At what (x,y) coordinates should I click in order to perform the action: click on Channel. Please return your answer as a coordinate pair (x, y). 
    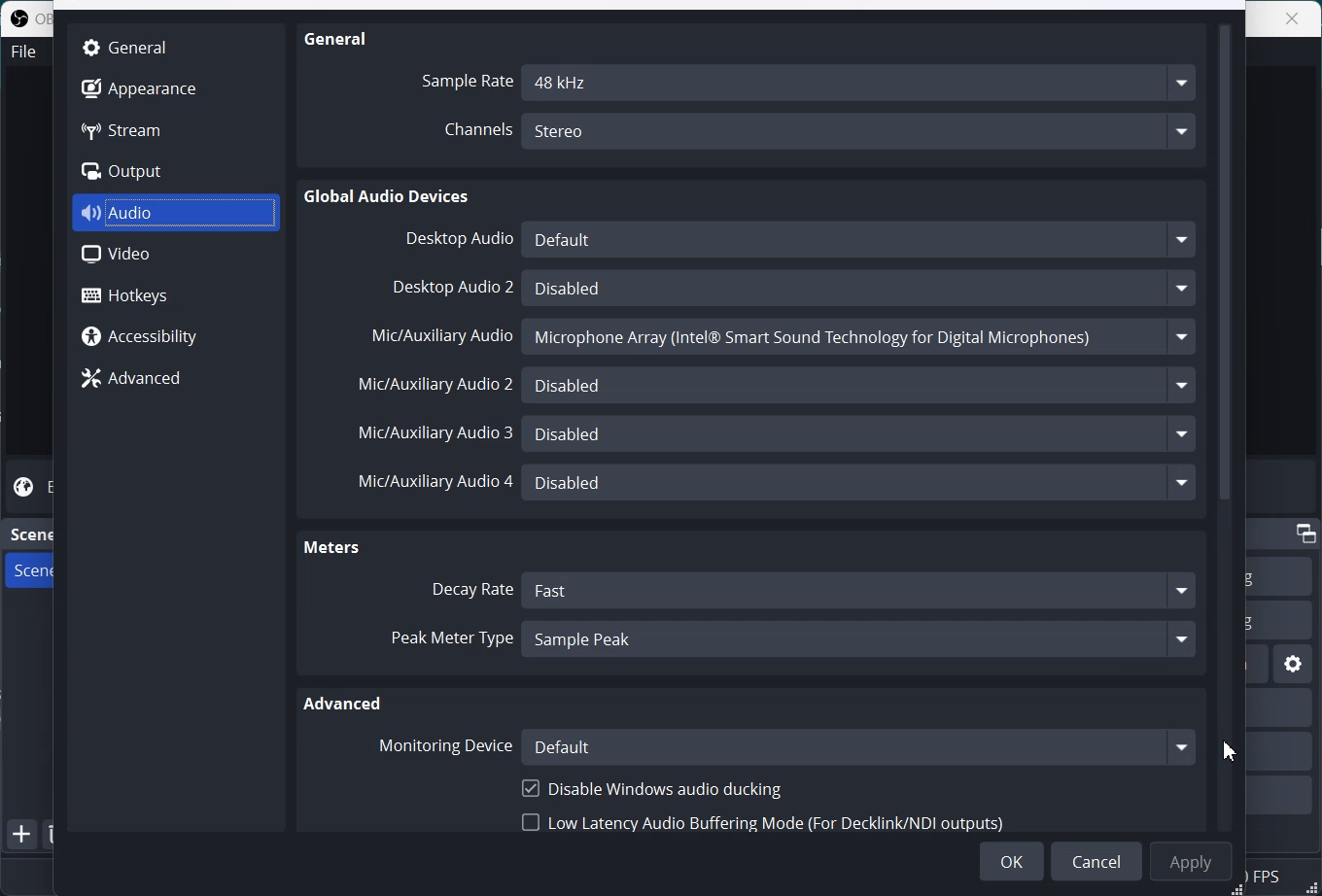
    Looking at the image, I should click on (465, 134).